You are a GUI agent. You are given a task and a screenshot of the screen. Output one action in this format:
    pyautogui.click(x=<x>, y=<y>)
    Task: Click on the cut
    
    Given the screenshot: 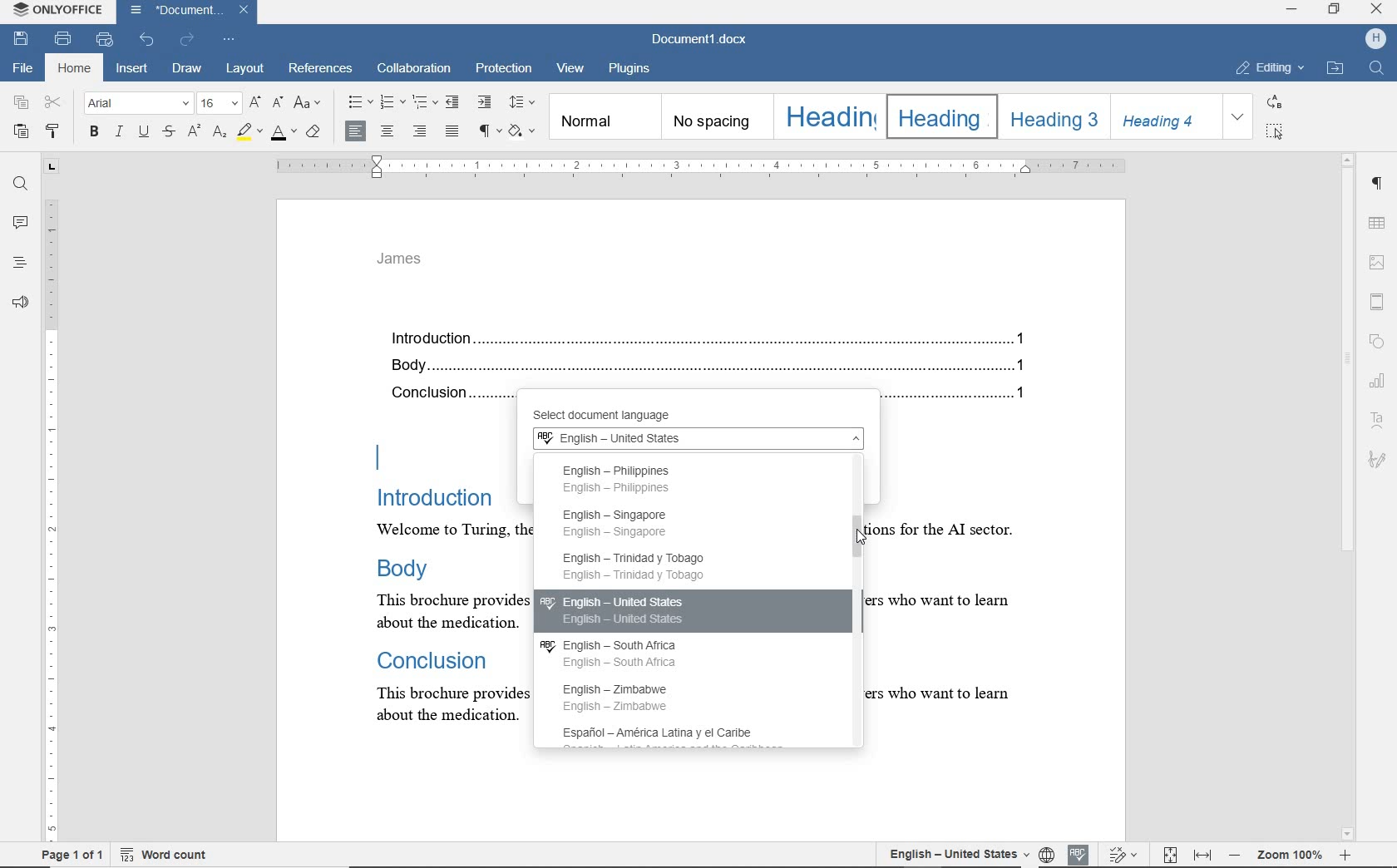 What is the action you would take?
    pyautogui.click(x=54, y=103)
    